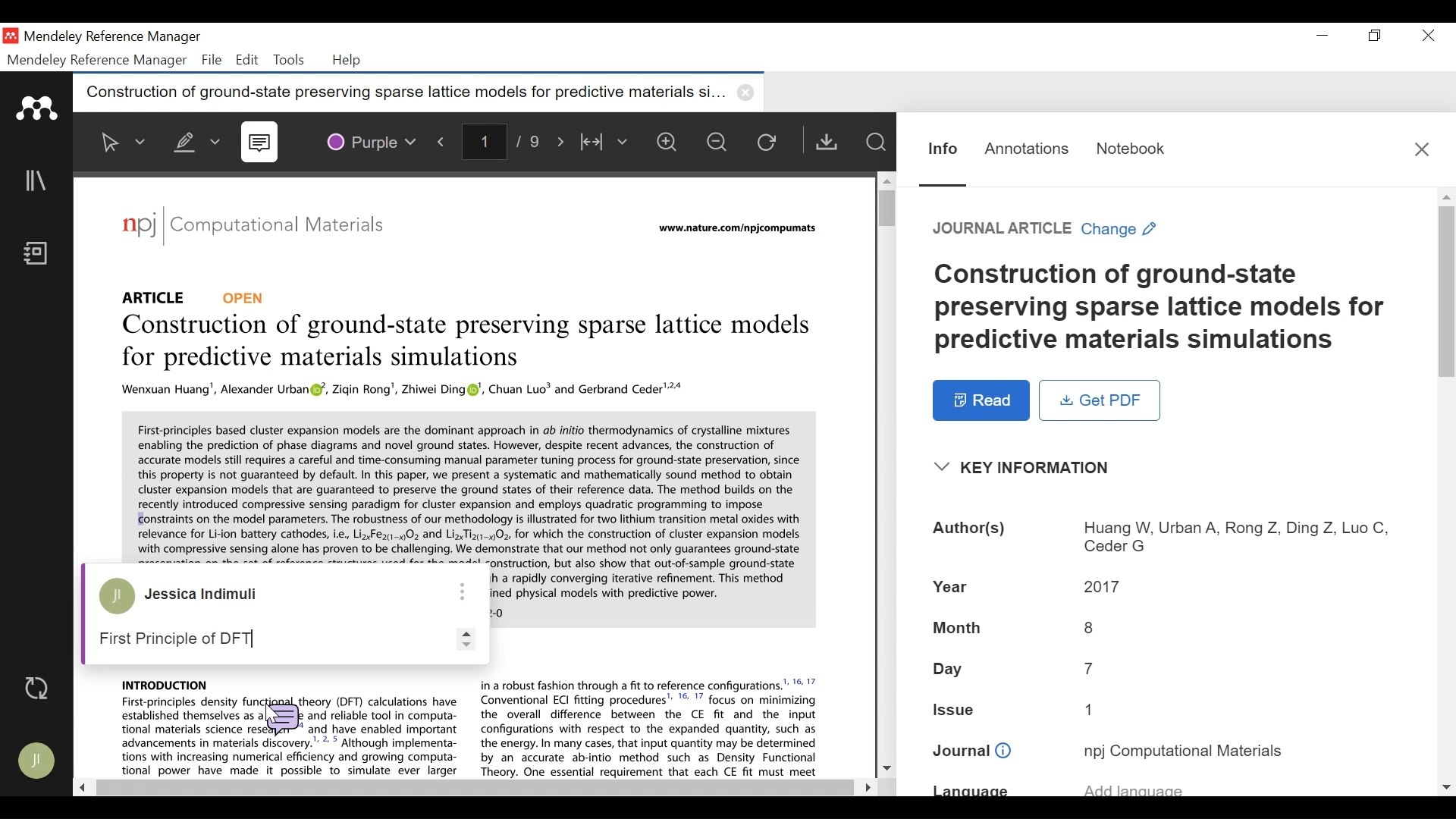 Image resolution: width=1456 pixels, height=819 pixels. What do you see at coordinates (210, 595) in the screenshot?
I see `Username: Jessica Indimuli` at bounding box center [210, 595].